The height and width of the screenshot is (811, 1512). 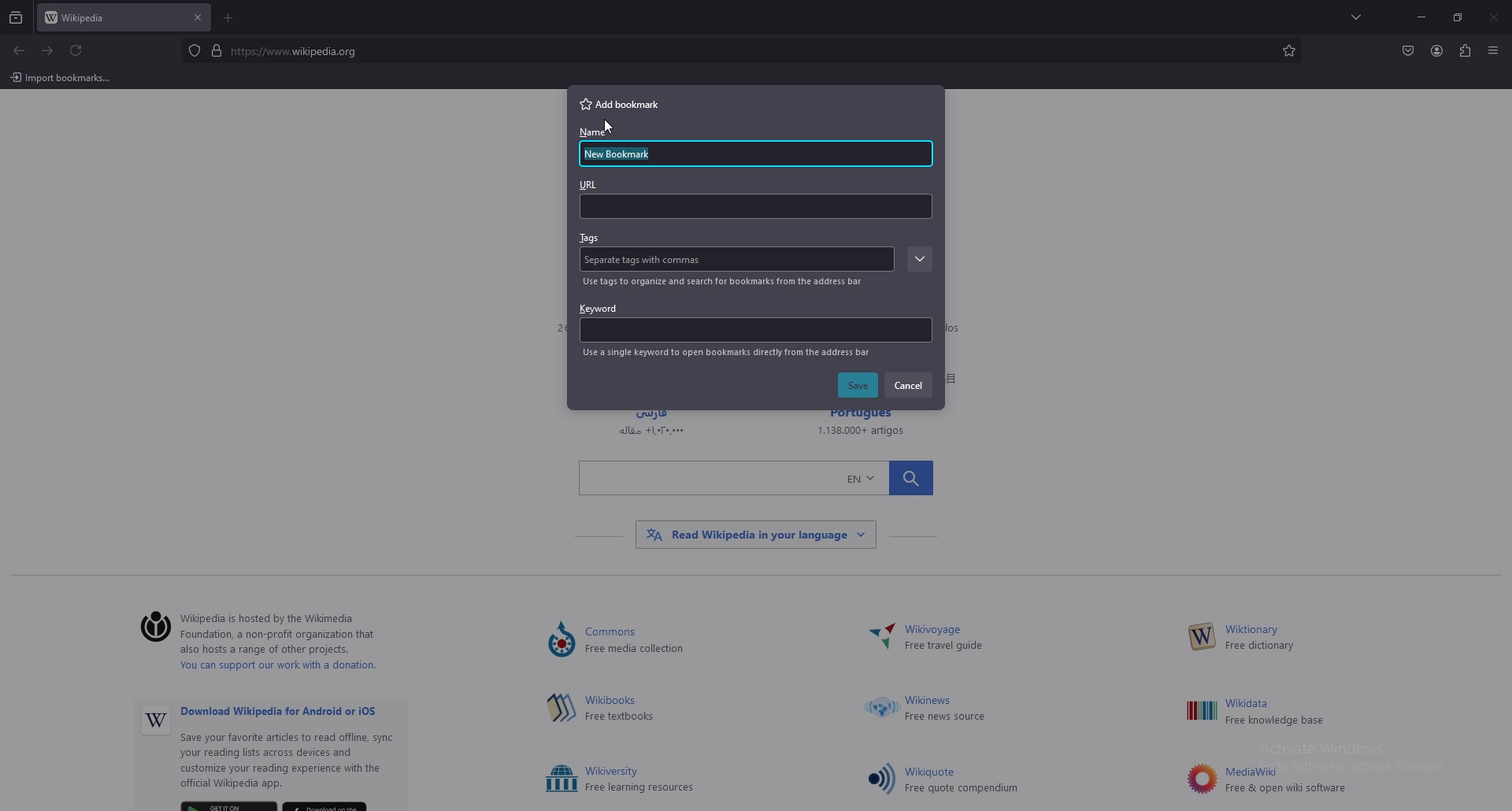 I want to click on forward, so click(x=48, y=51).